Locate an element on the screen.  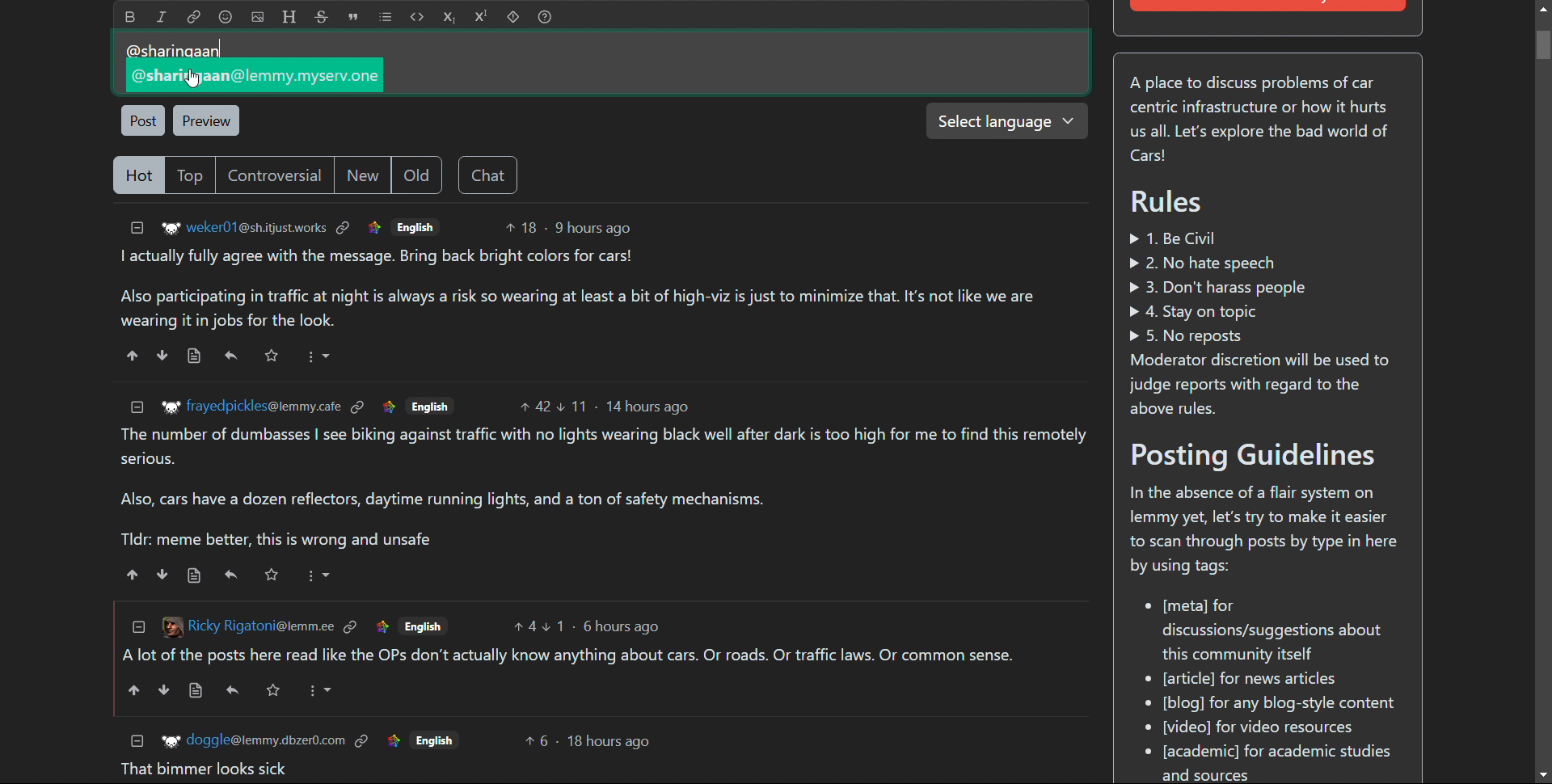
strikethrough is located at coordinates (322, 17).